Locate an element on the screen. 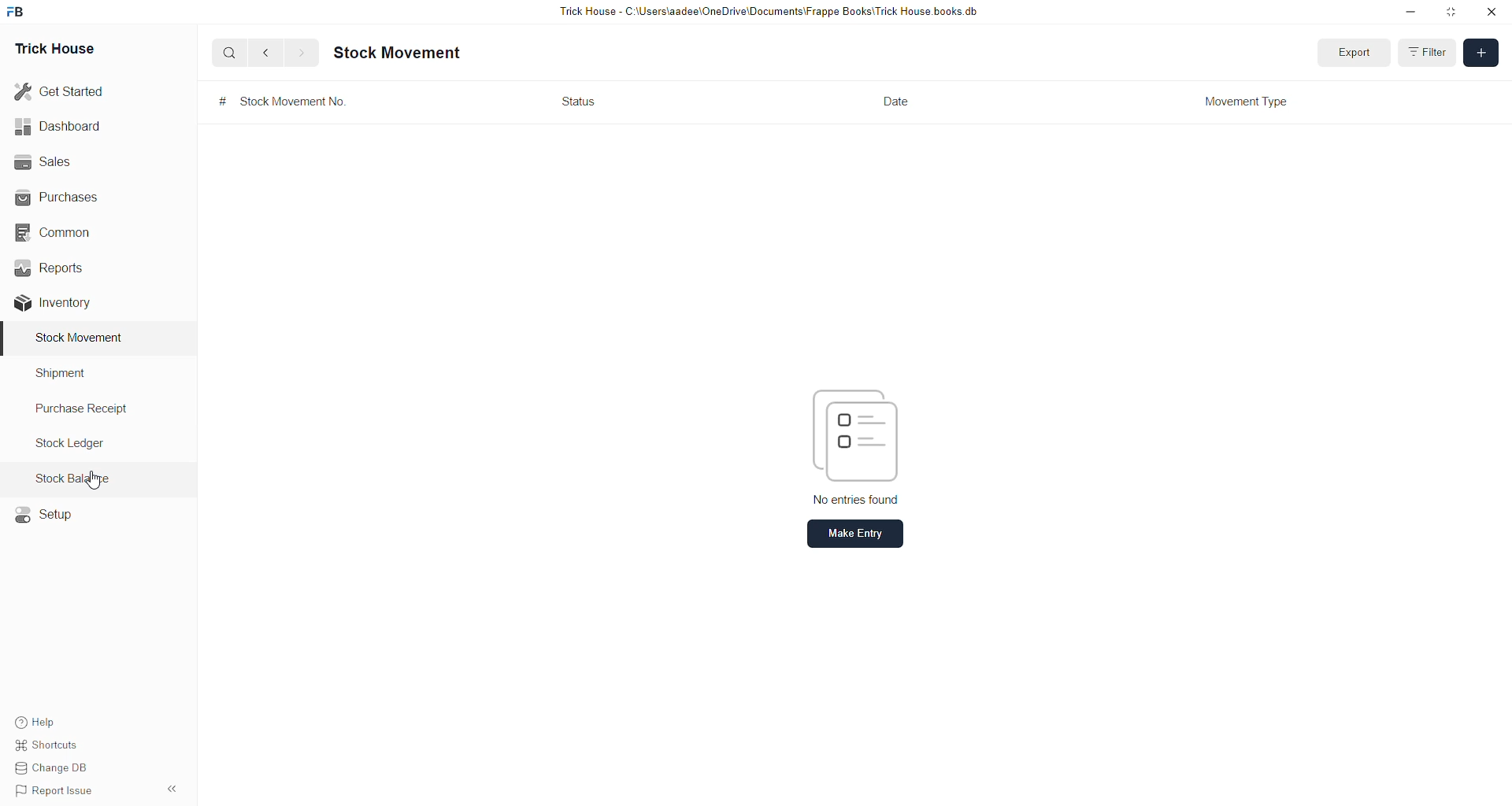 The width and height of the screenshot is (1512, 806). Shipment is located at coordinates (59, 374).